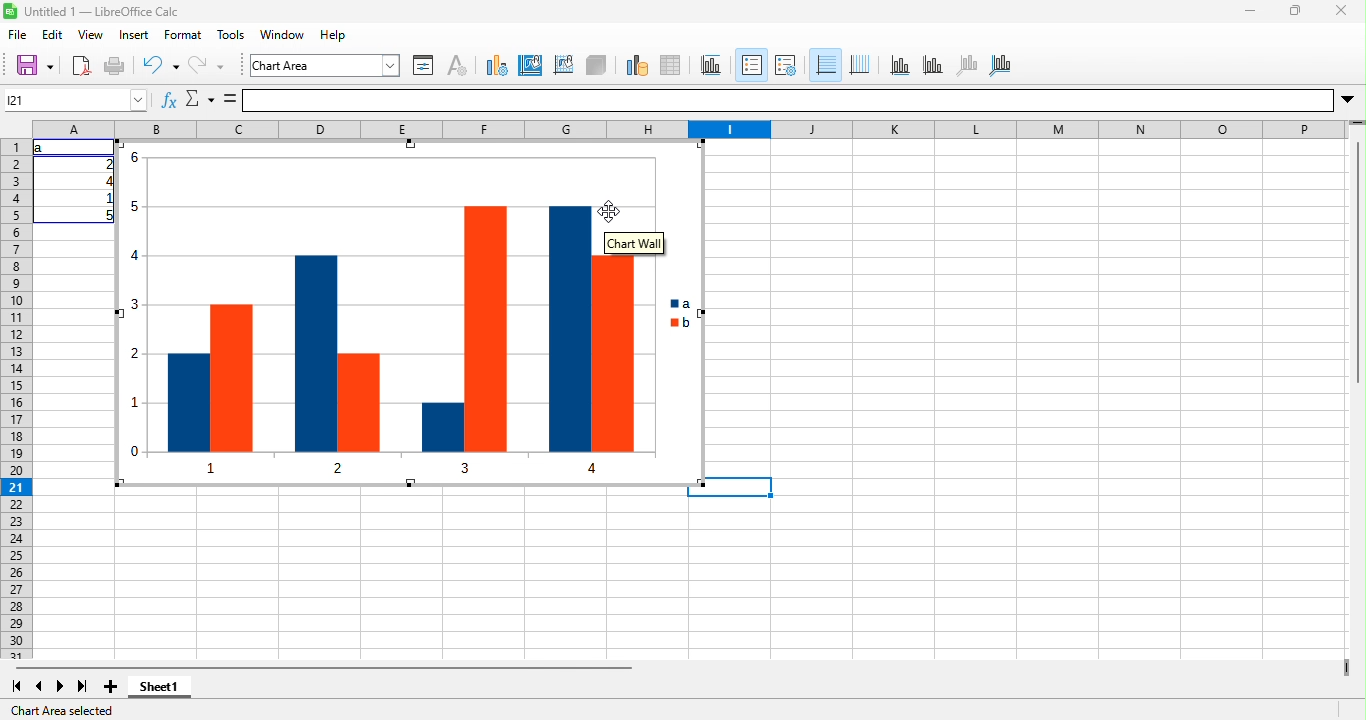  What do you see at coordinates (967, 66) in the screenshot?
I see `z axis` at bounding box center [967, 66].